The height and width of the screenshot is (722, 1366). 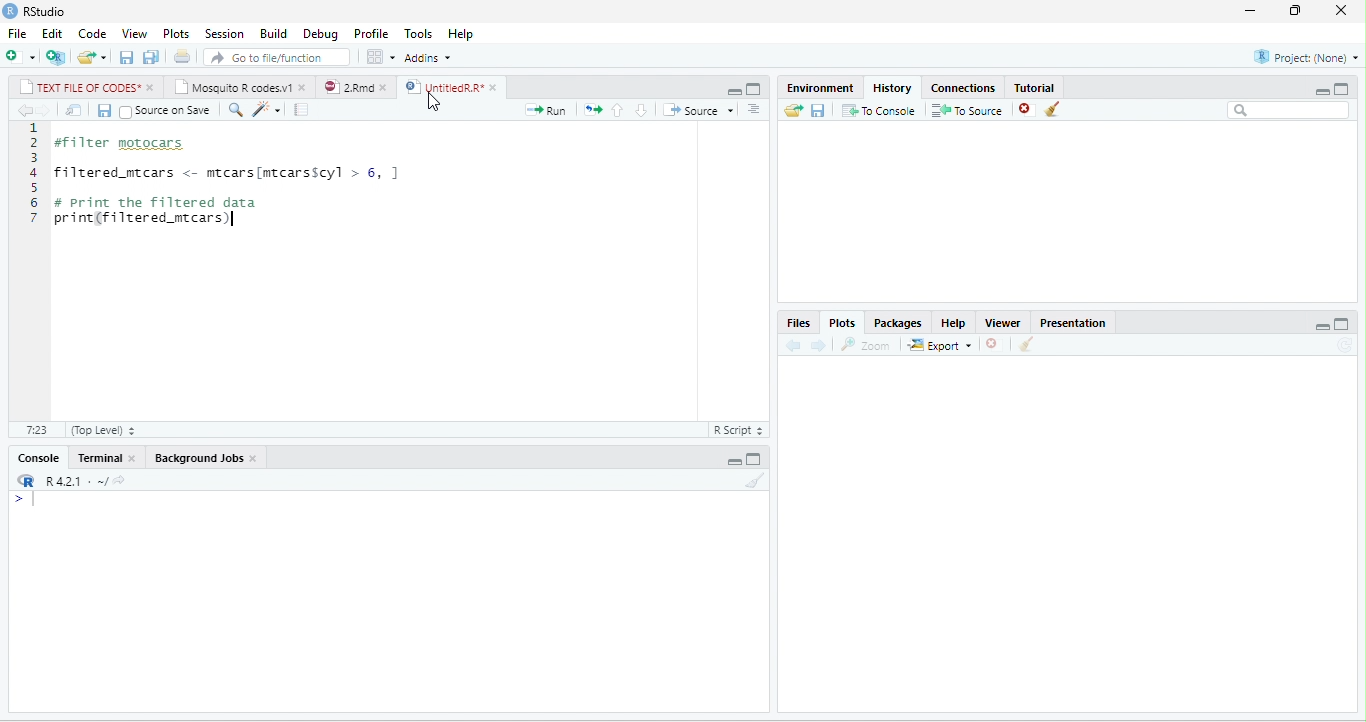 What do you see at coordinates (994, 344) in the screenshot?
I see `close file` at bounding box center [994, 344].